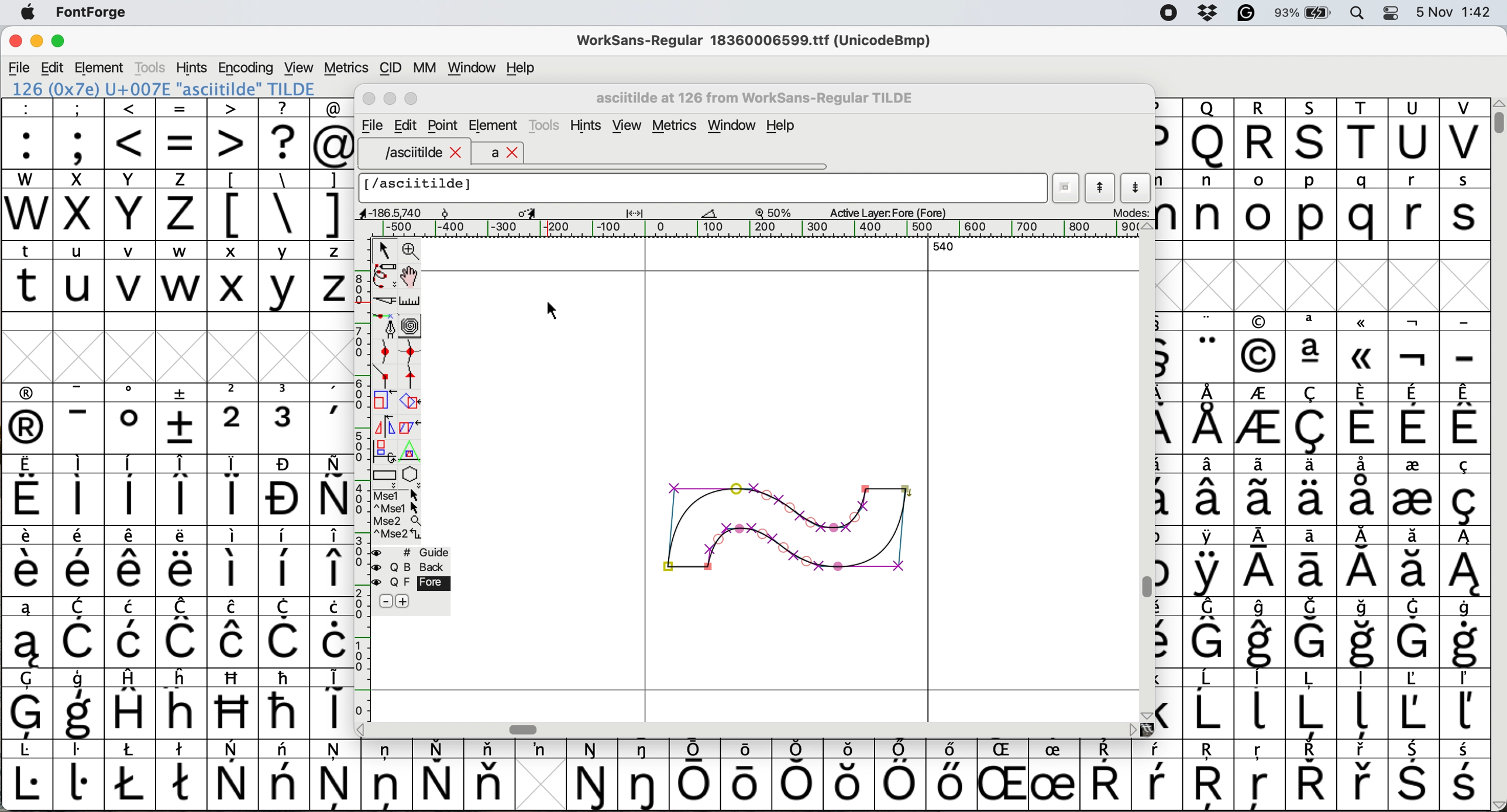 This screenshot has width=1507, height=812. Describe the element at coordinates (1133, 729) in the screenshot. I see `scroll button` at that location.